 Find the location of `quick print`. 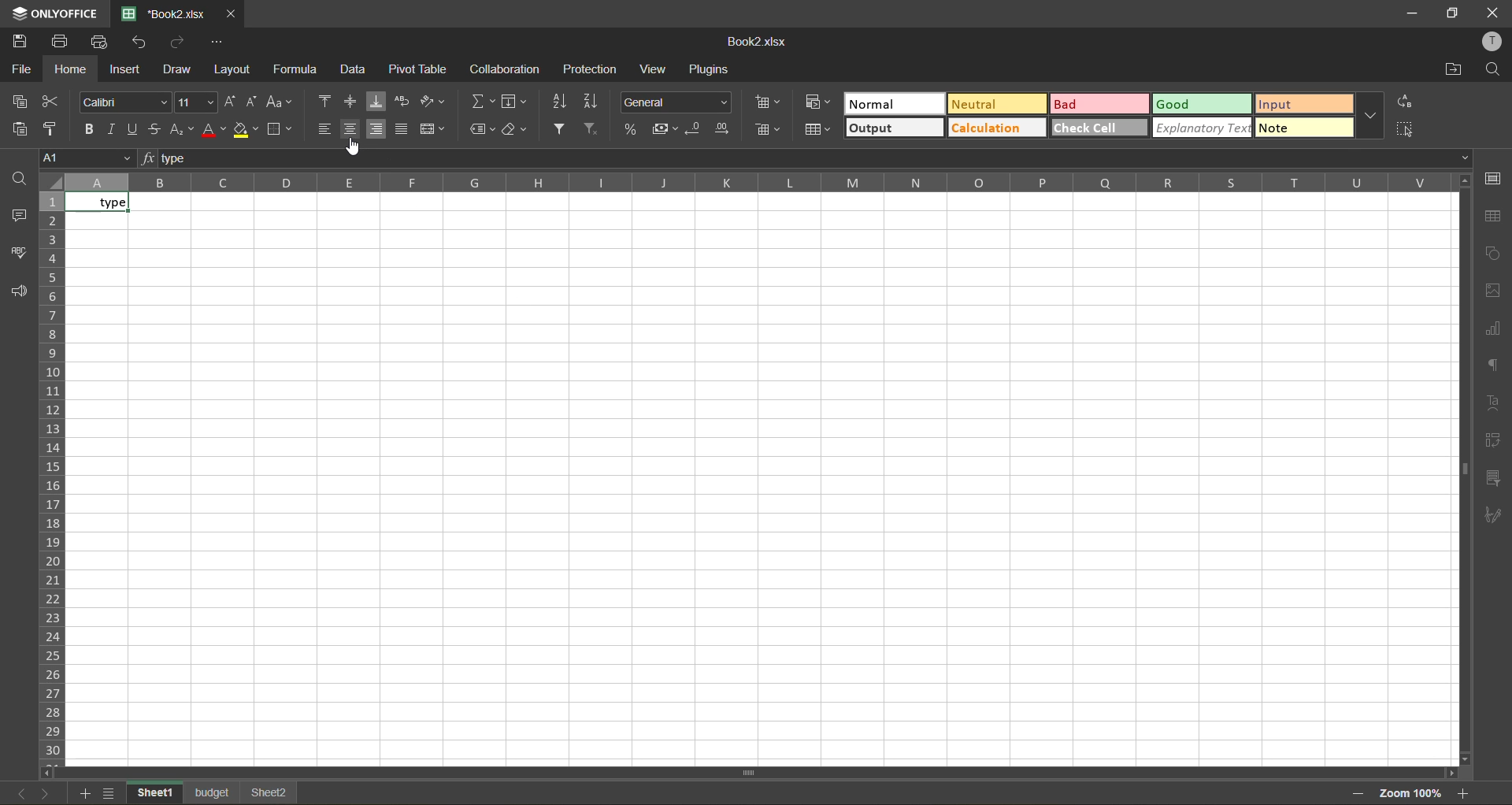

quick print is located at coordinates (100, 42).